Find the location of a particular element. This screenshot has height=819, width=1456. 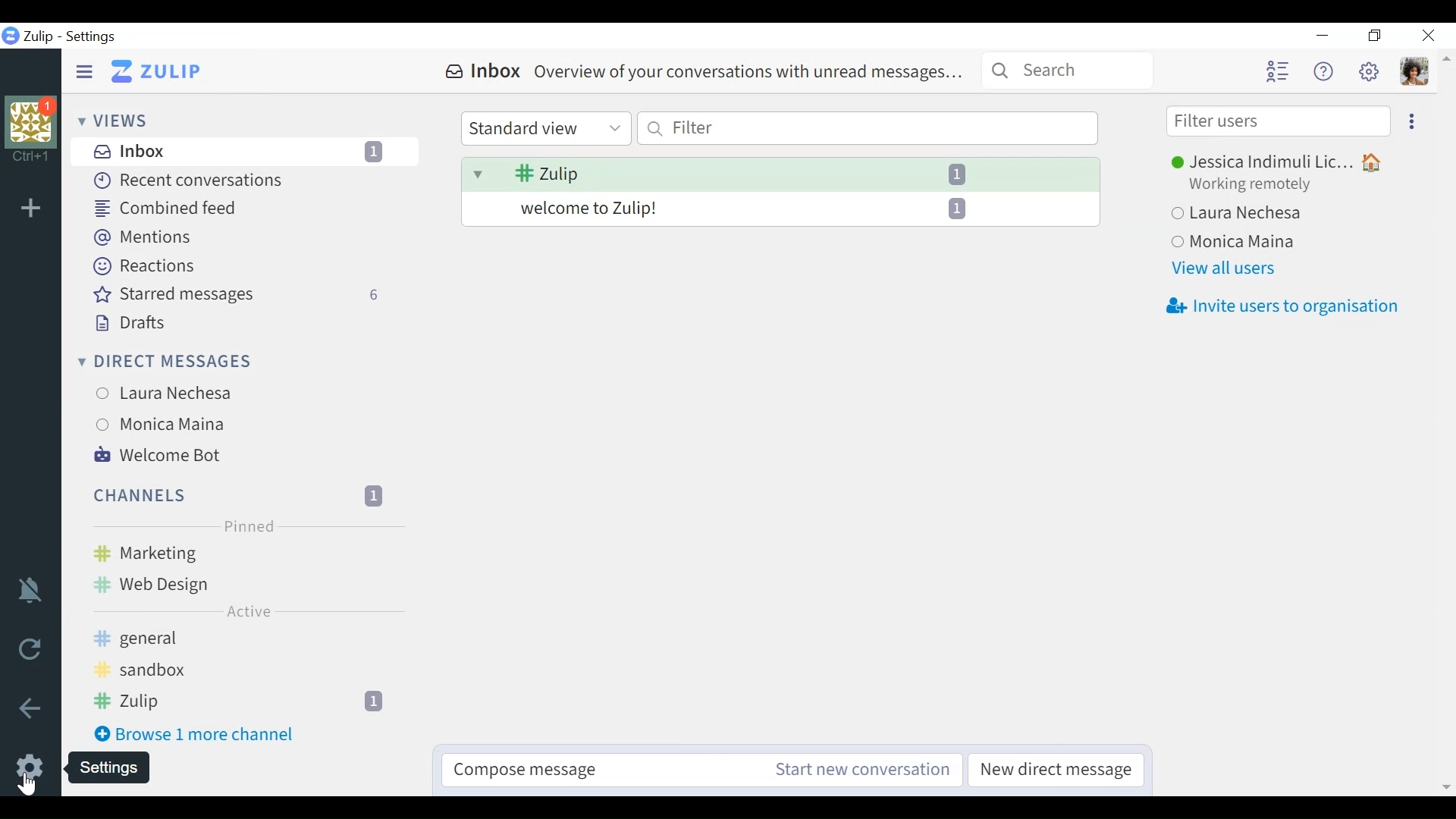

Inbox is located at coordinates (706, 73).